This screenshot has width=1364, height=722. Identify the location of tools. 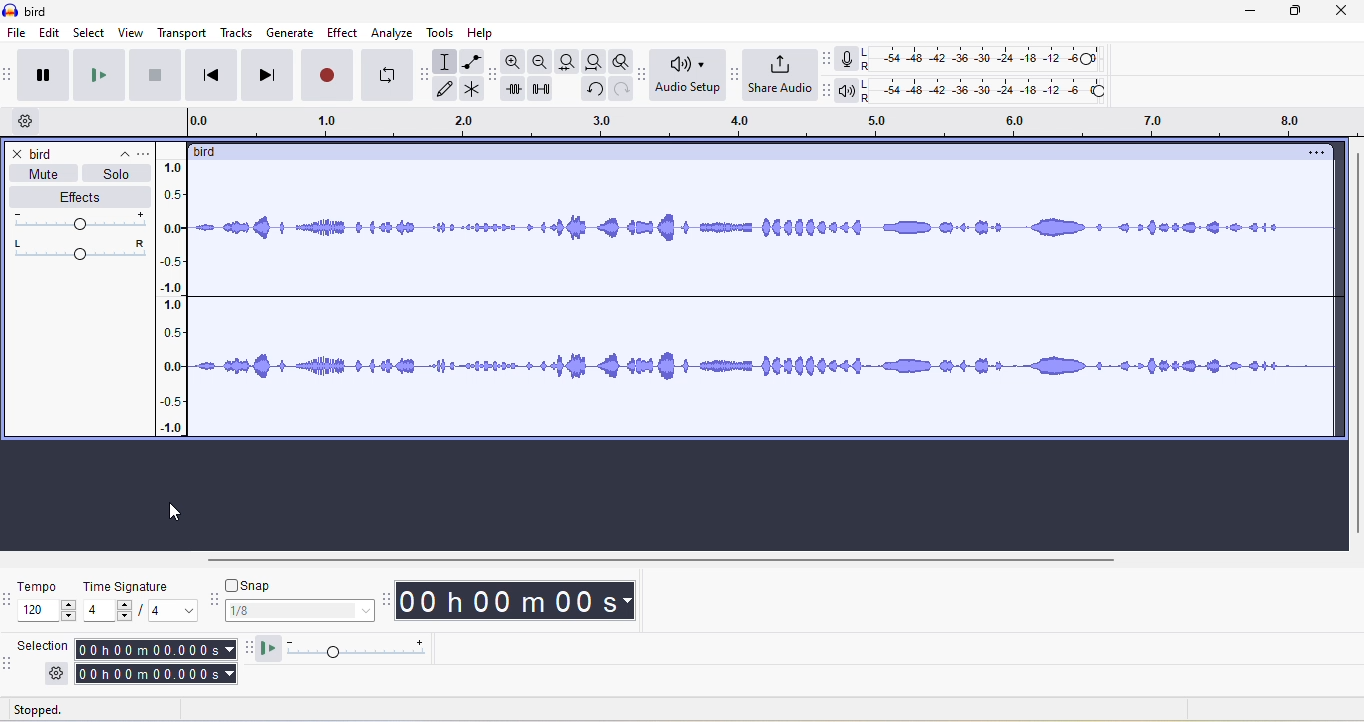
(444, 35).